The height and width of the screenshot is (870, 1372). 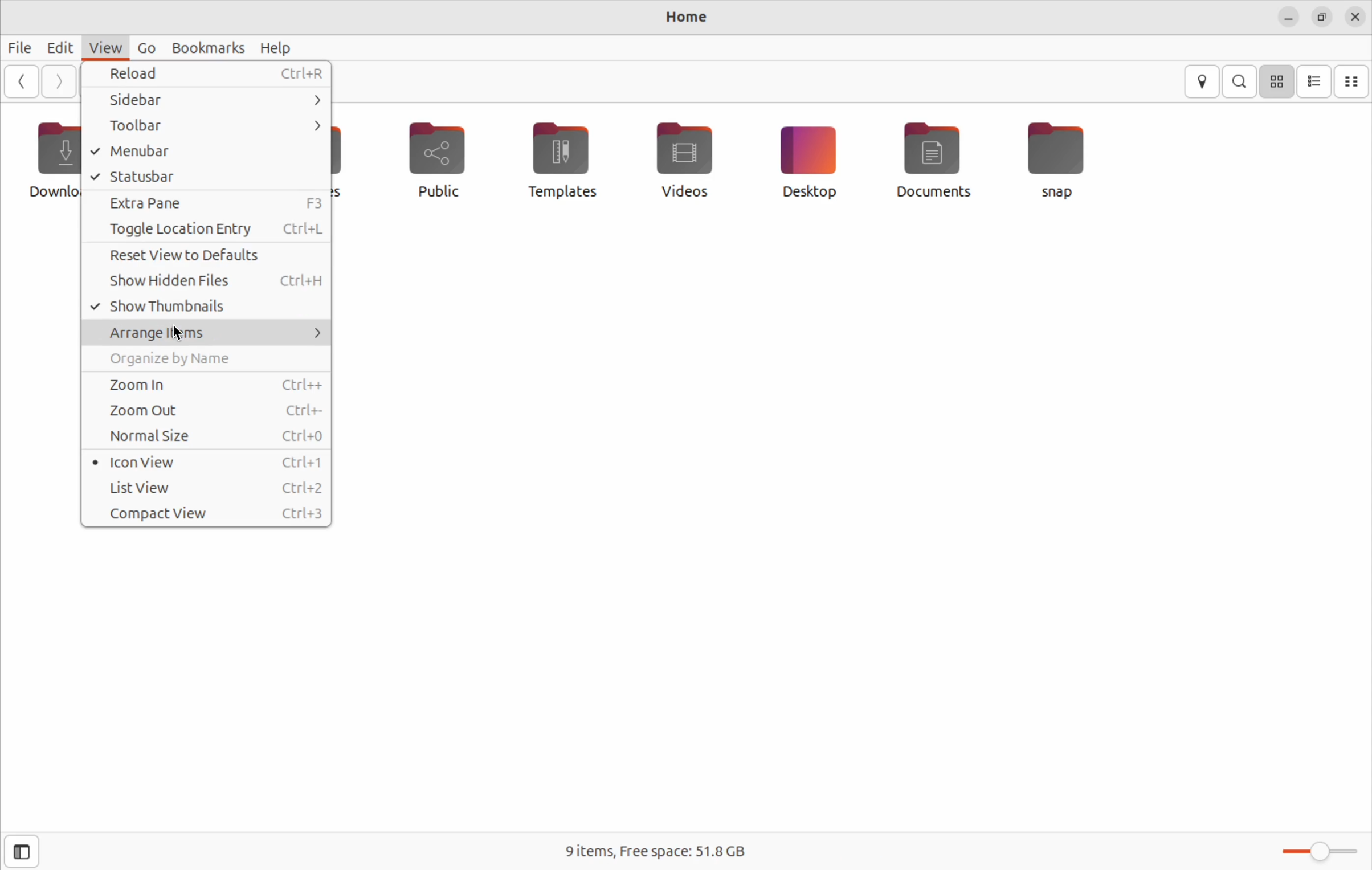 I want to click on minimize, so click(x=1284, y=16).